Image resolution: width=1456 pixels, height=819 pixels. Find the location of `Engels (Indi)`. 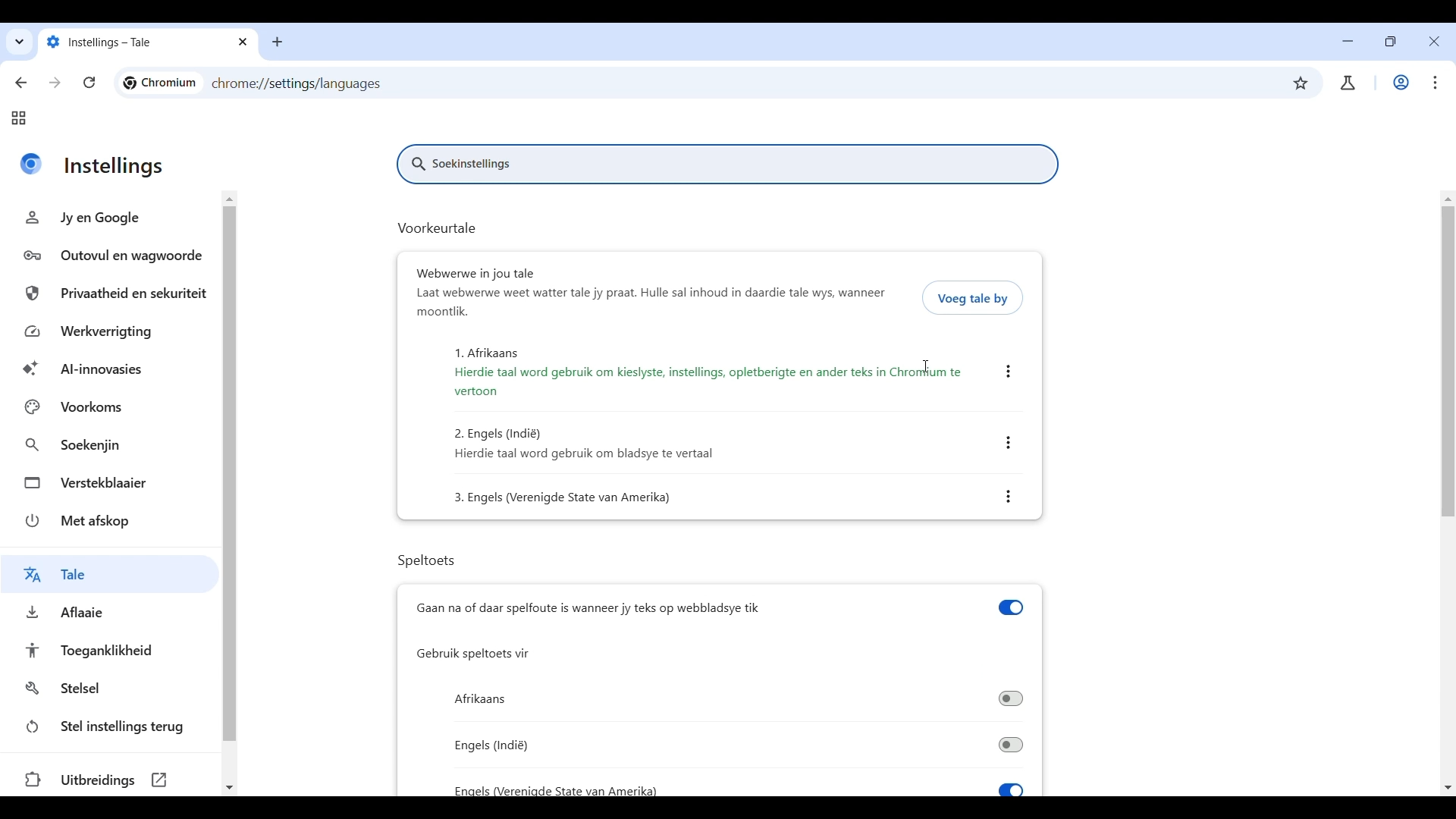

Engels (Indi) is located at coordinates (485, 745).